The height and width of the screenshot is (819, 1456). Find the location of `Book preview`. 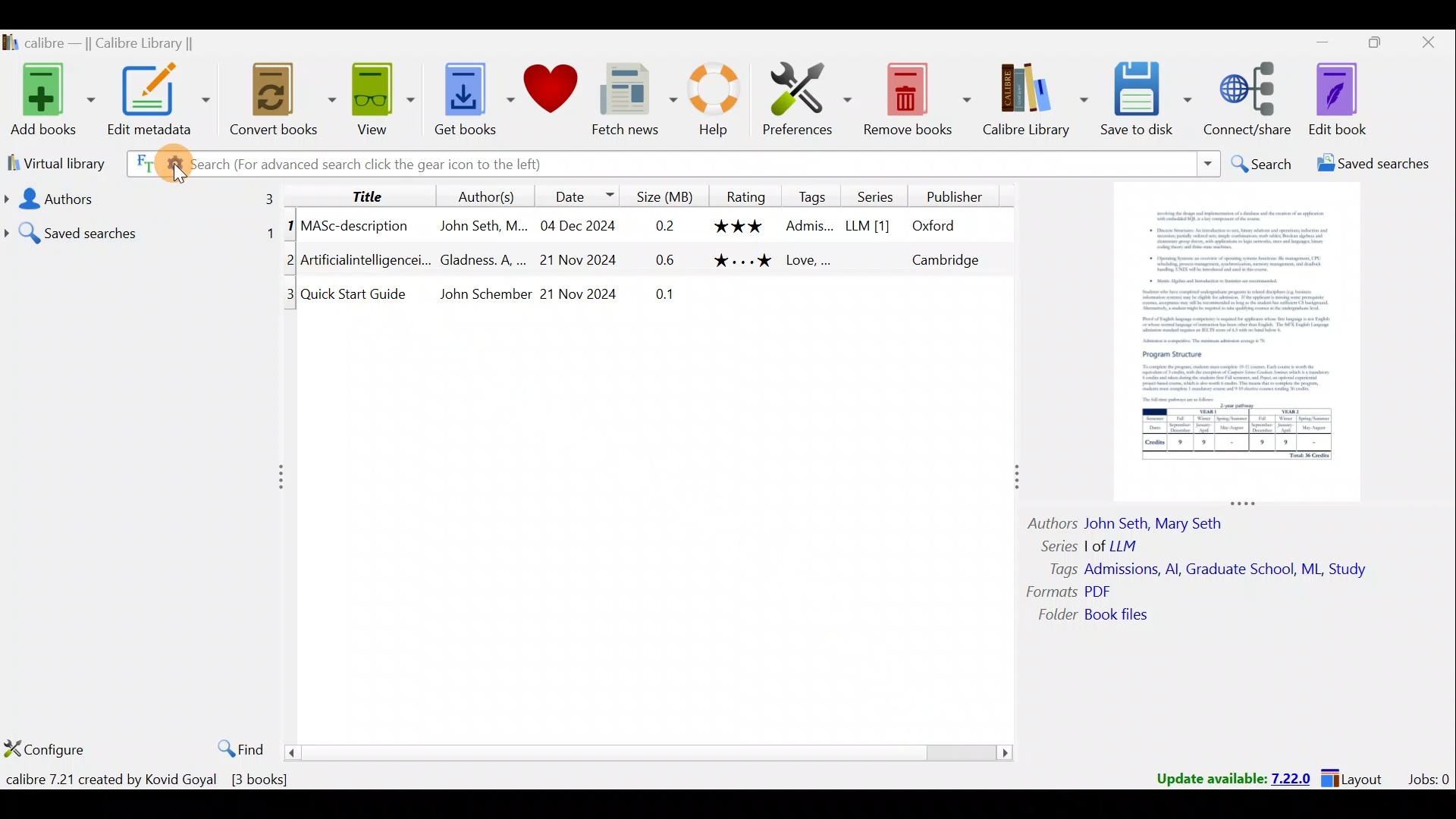

Book preview is located at coordinates (1241, 342).